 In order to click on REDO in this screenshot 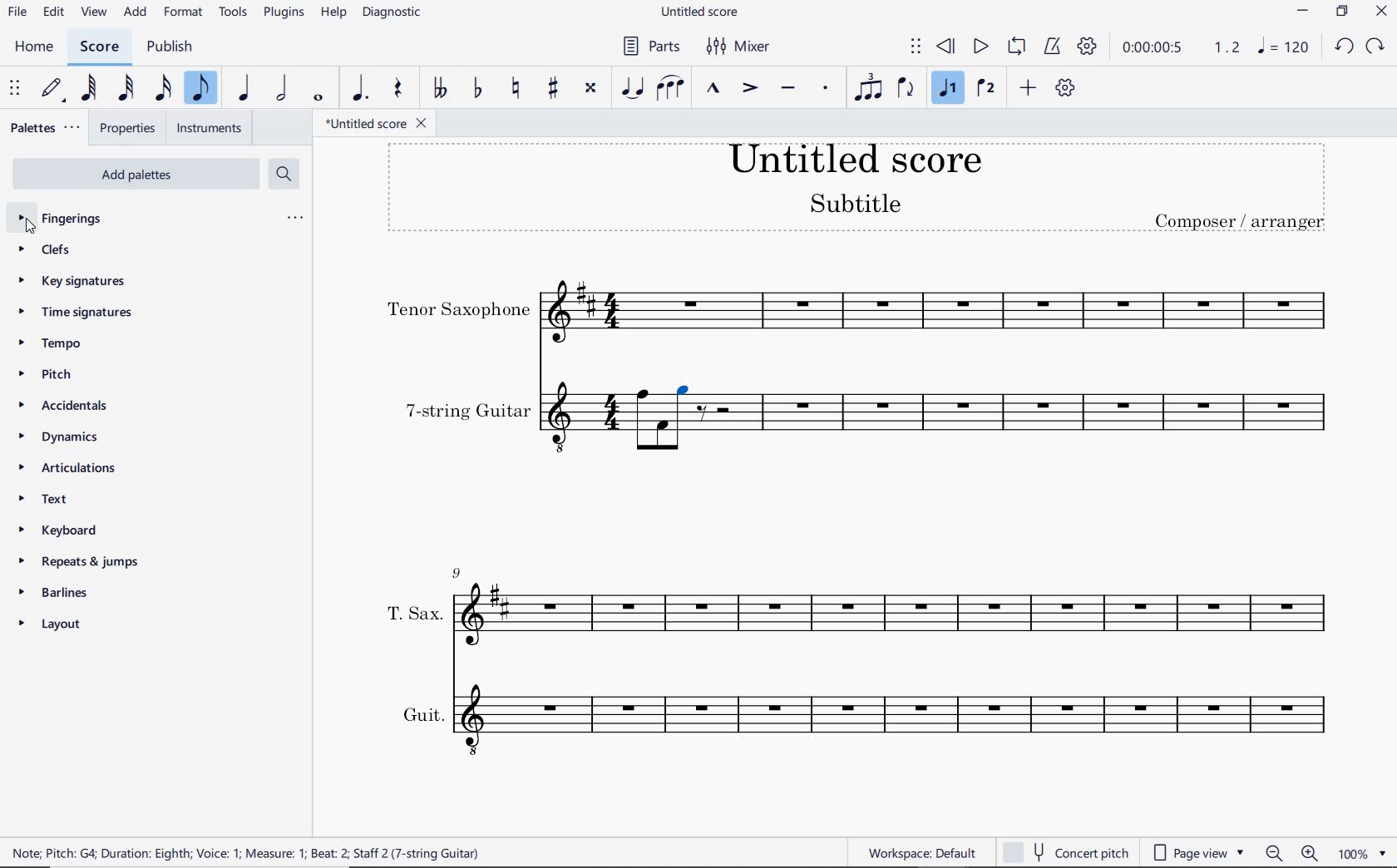, I will do `click(1375, 46)`.